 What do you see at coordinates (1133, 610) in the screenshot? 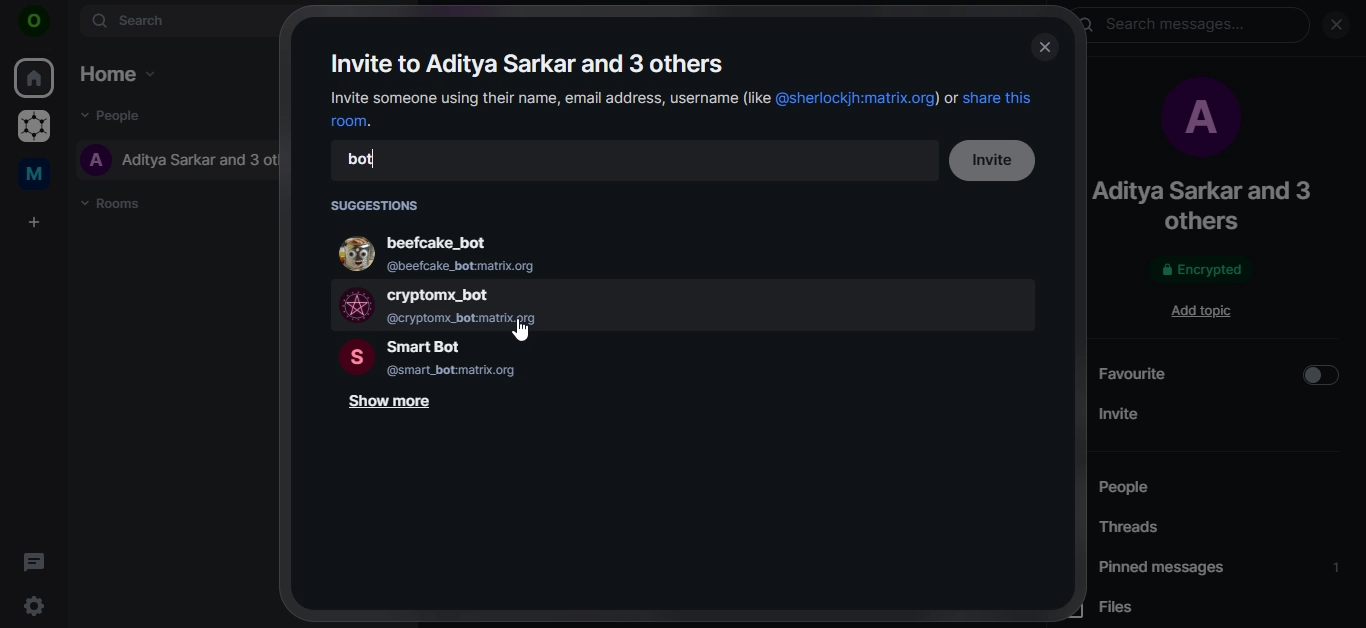
I see `files` at bounding box center [1133, 610].